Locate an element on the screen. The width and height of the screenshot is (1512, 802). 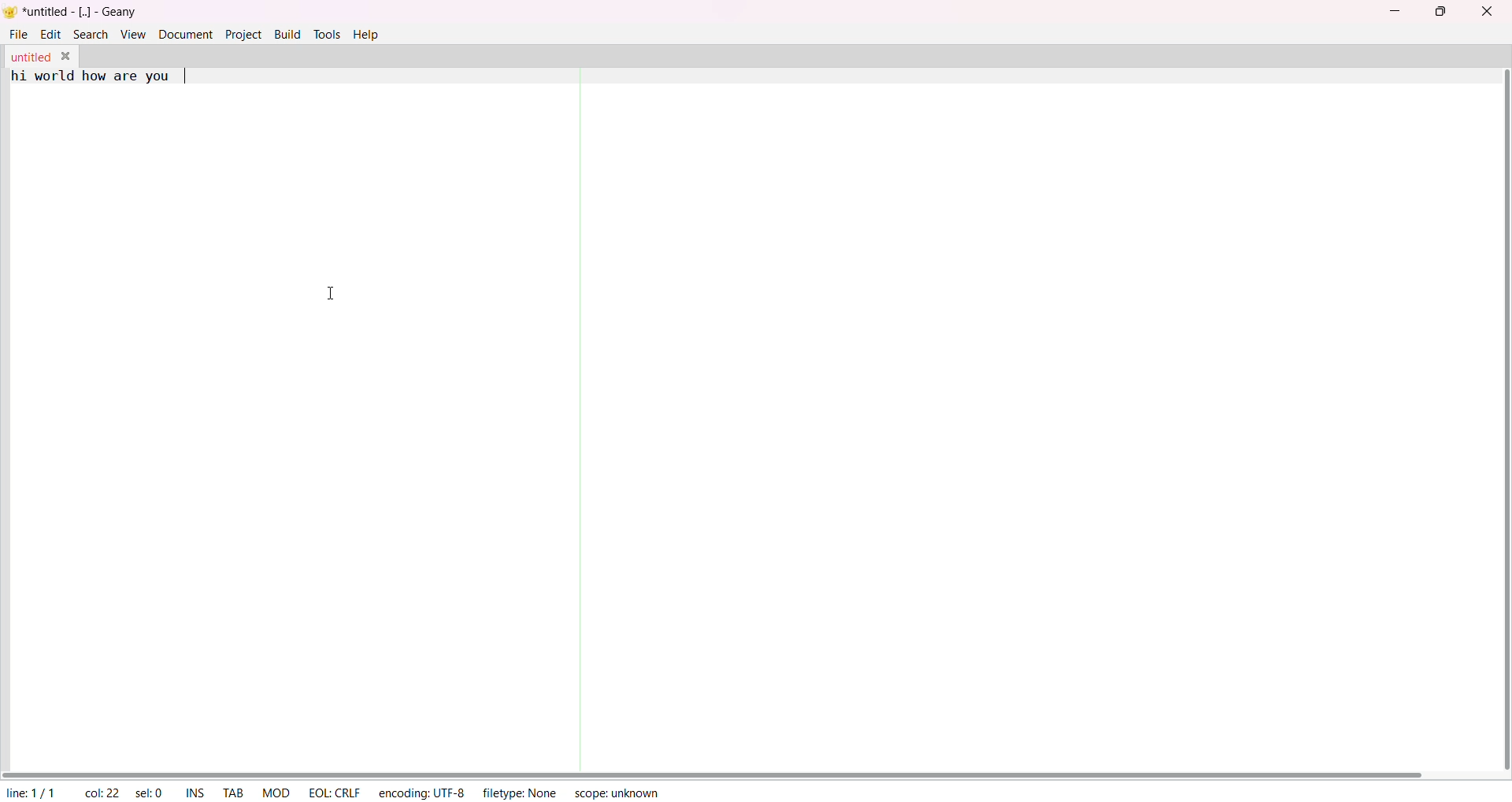
hi world how are you is located at coordinates (88, 77).